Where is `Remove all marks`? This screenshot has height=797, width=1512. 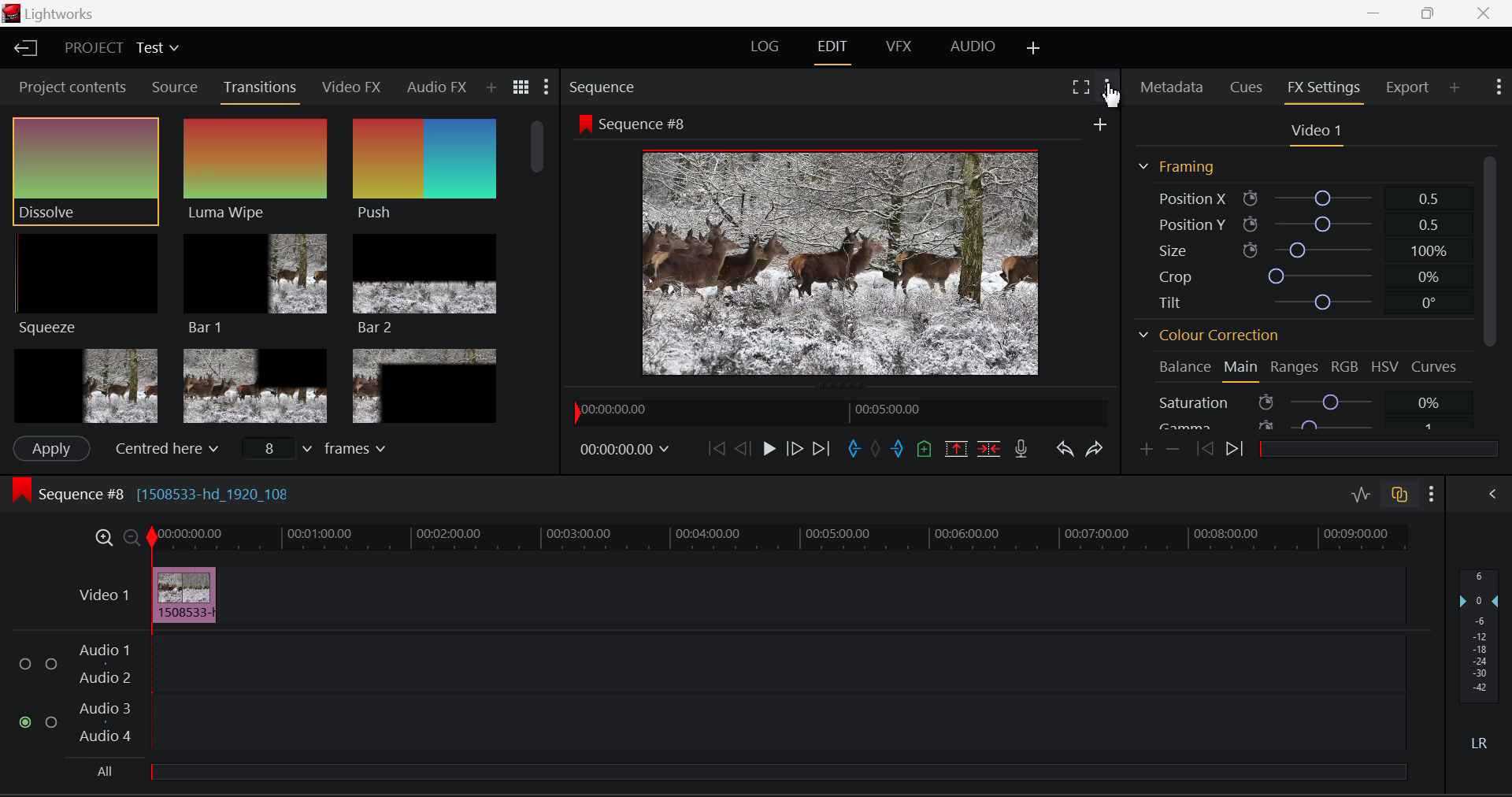 Remove all marks is located at coordinates (877, 451).